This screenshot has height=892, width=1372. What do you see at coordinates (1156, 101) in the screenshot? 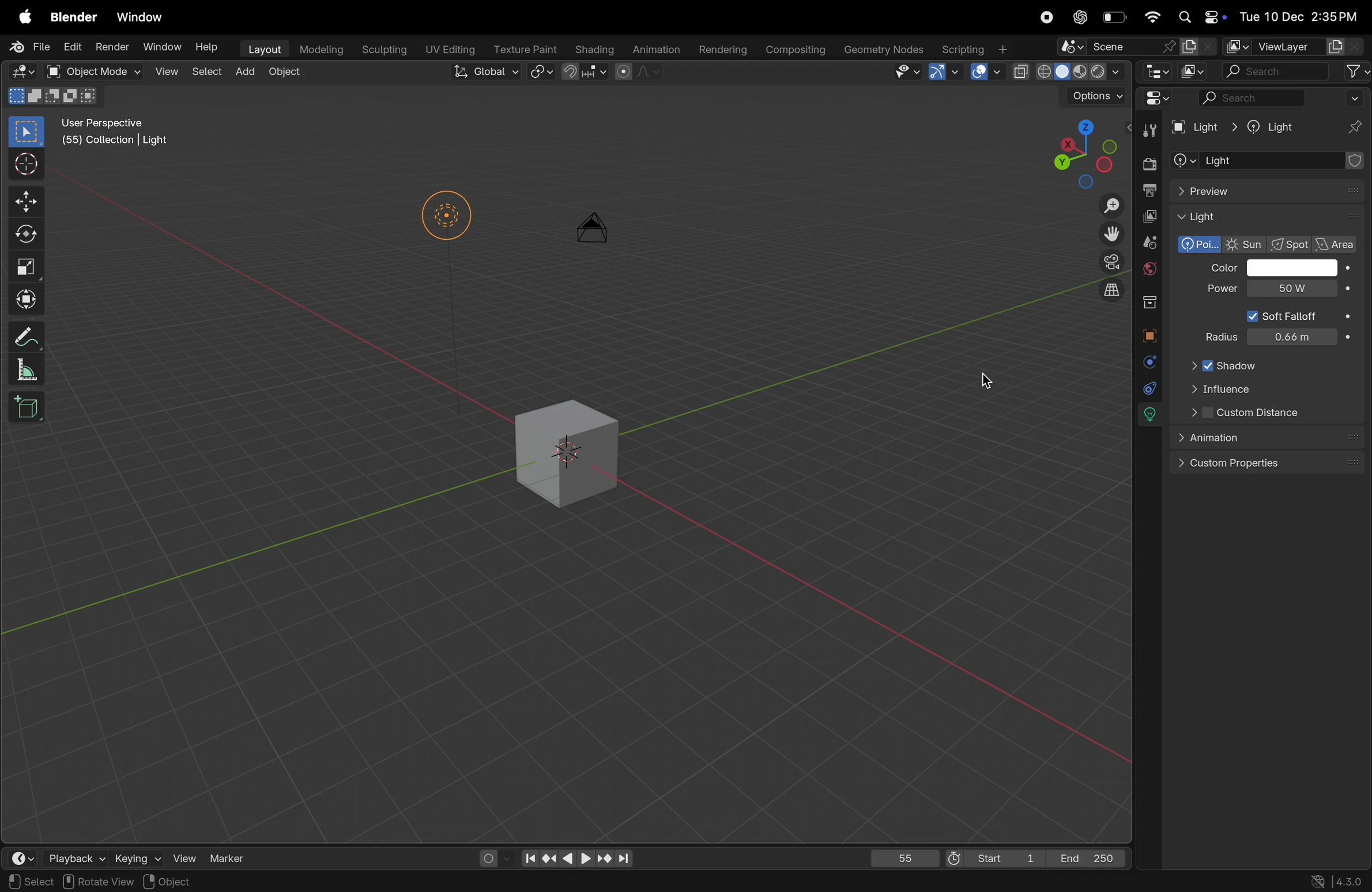
I see `Editor mode` at bounding box center [1156, 101].